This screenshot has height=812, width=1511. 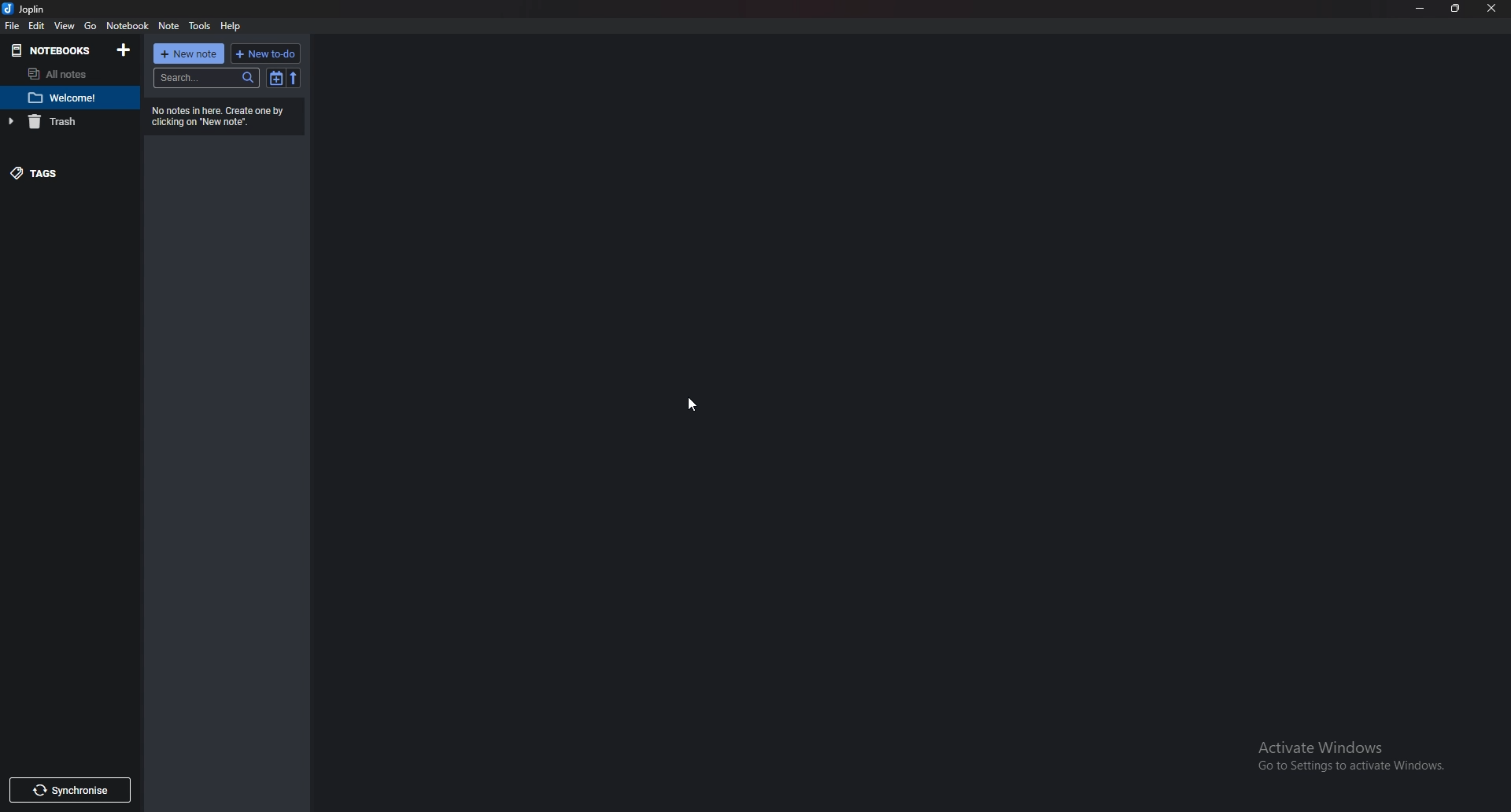 I want to click on Activate Windows
Go to Settings to activate Windows., so click(x=1345, y=751).